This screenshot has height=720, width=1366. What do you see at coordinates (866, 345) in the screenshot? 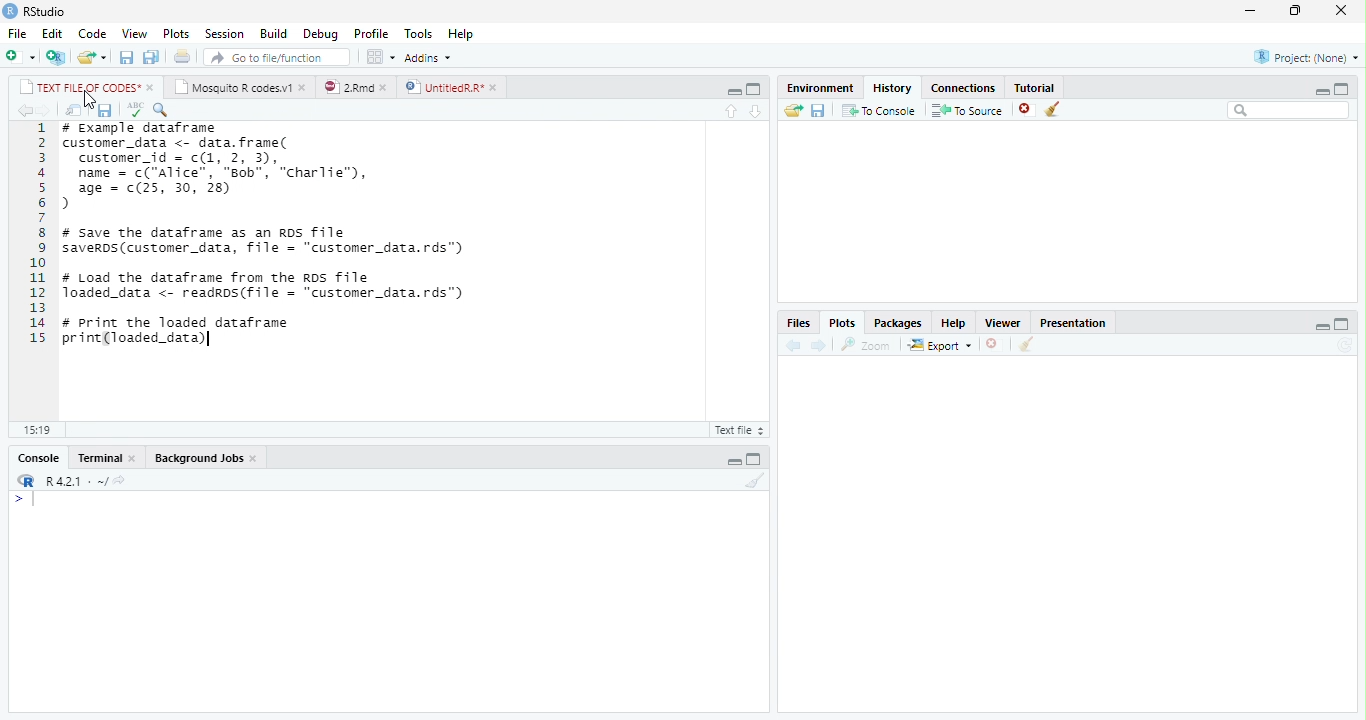
I see `Zoom` at bounding box center [866, 345].